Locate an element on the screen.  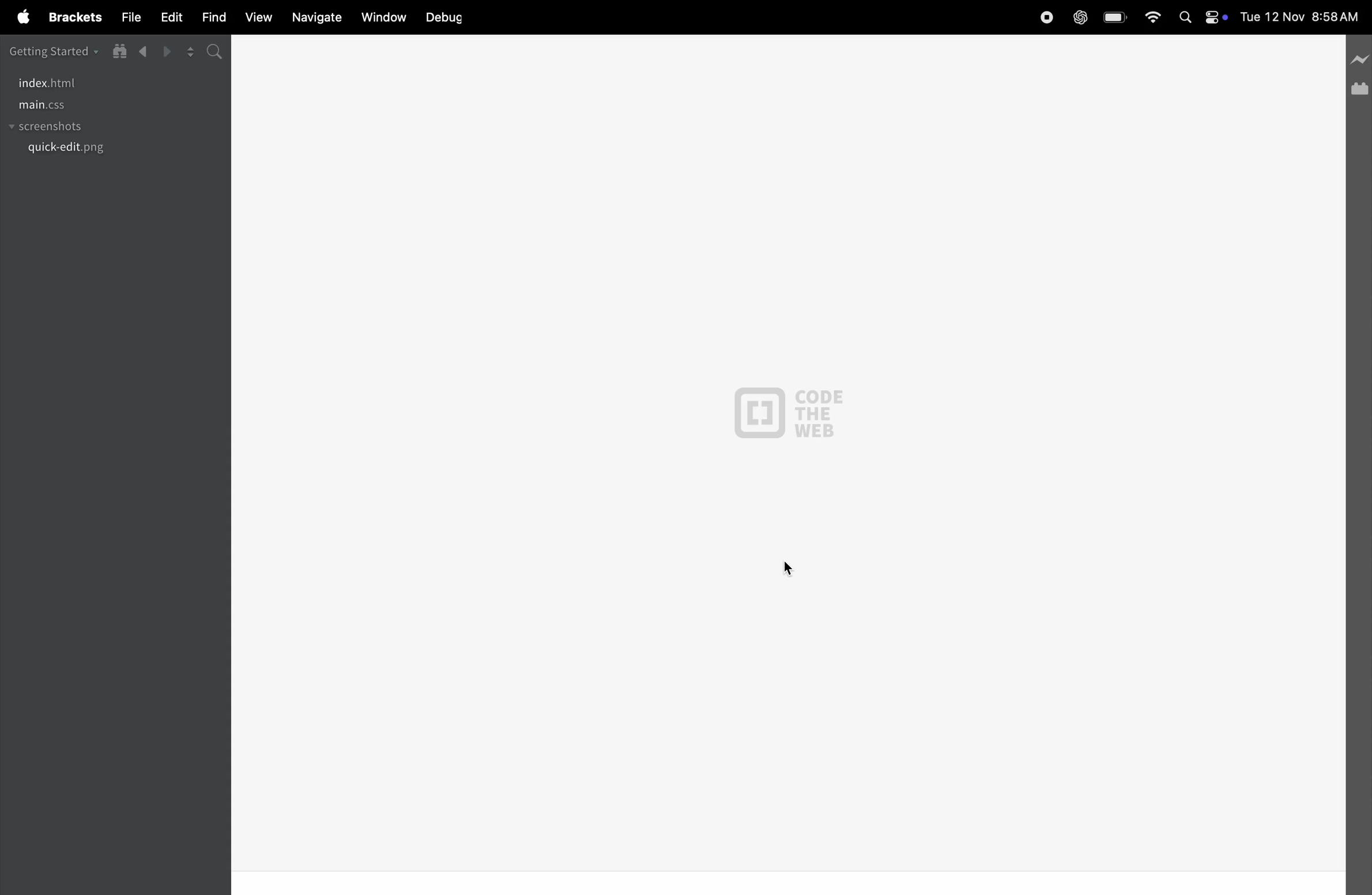
quick.edit.png is located at coordinates (69, 149).